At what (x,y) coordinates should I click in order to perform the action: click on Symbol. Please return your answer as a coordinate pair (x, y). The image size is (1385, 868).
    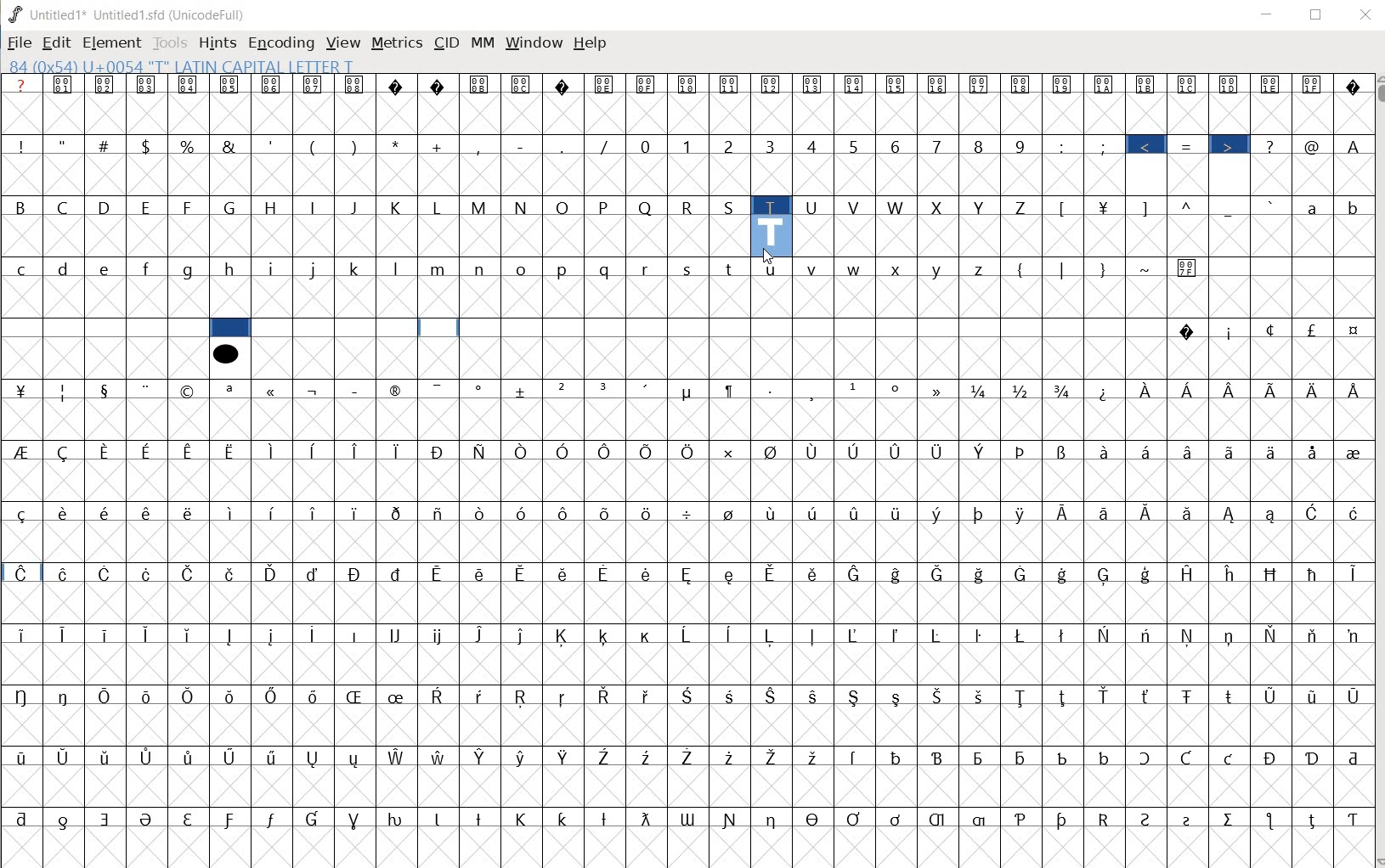
    Looking at the image, I should click on (441, 636).